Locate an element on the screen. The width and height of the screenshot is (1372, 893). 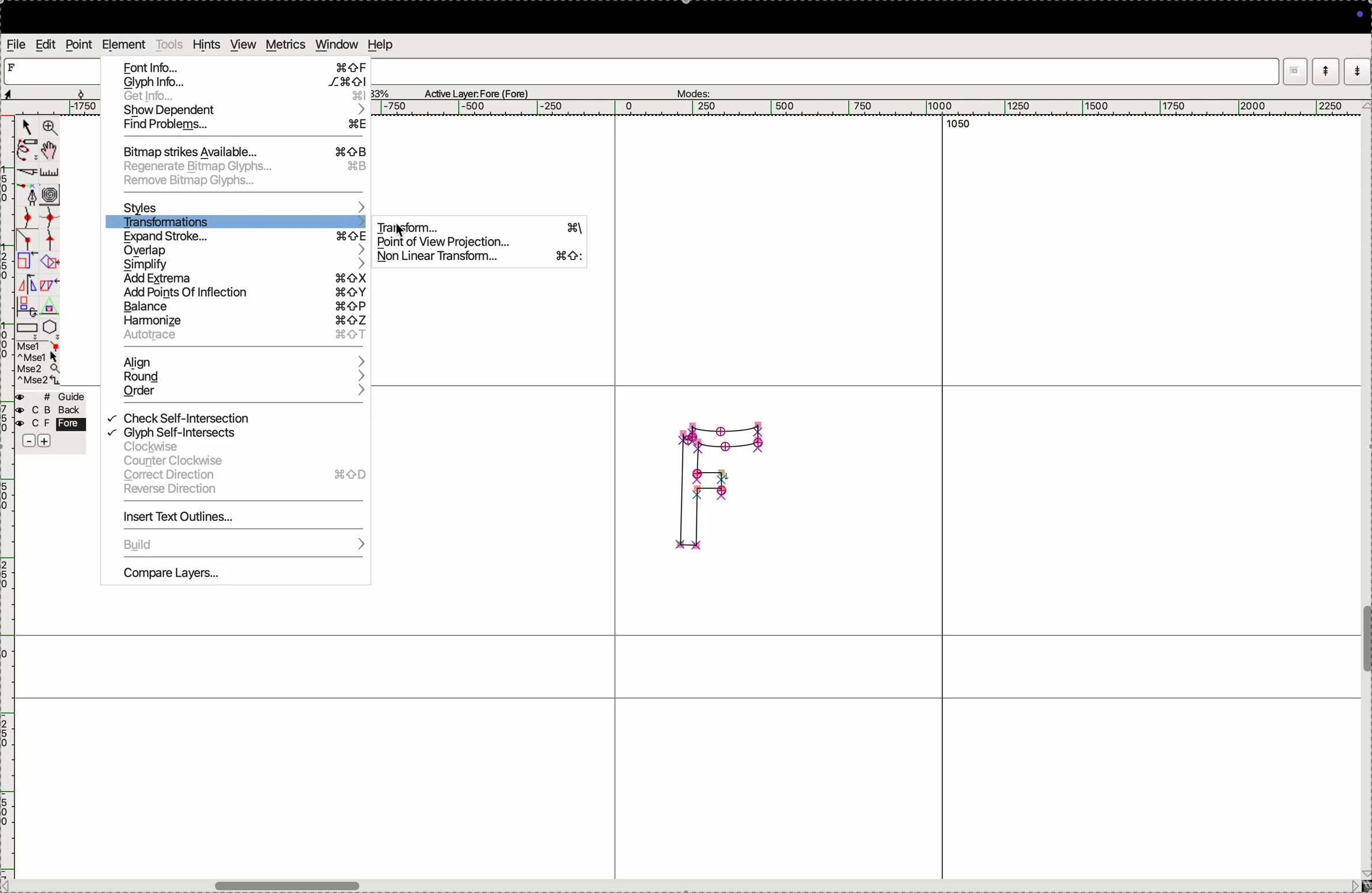
add is located at coordinates (46, 443).